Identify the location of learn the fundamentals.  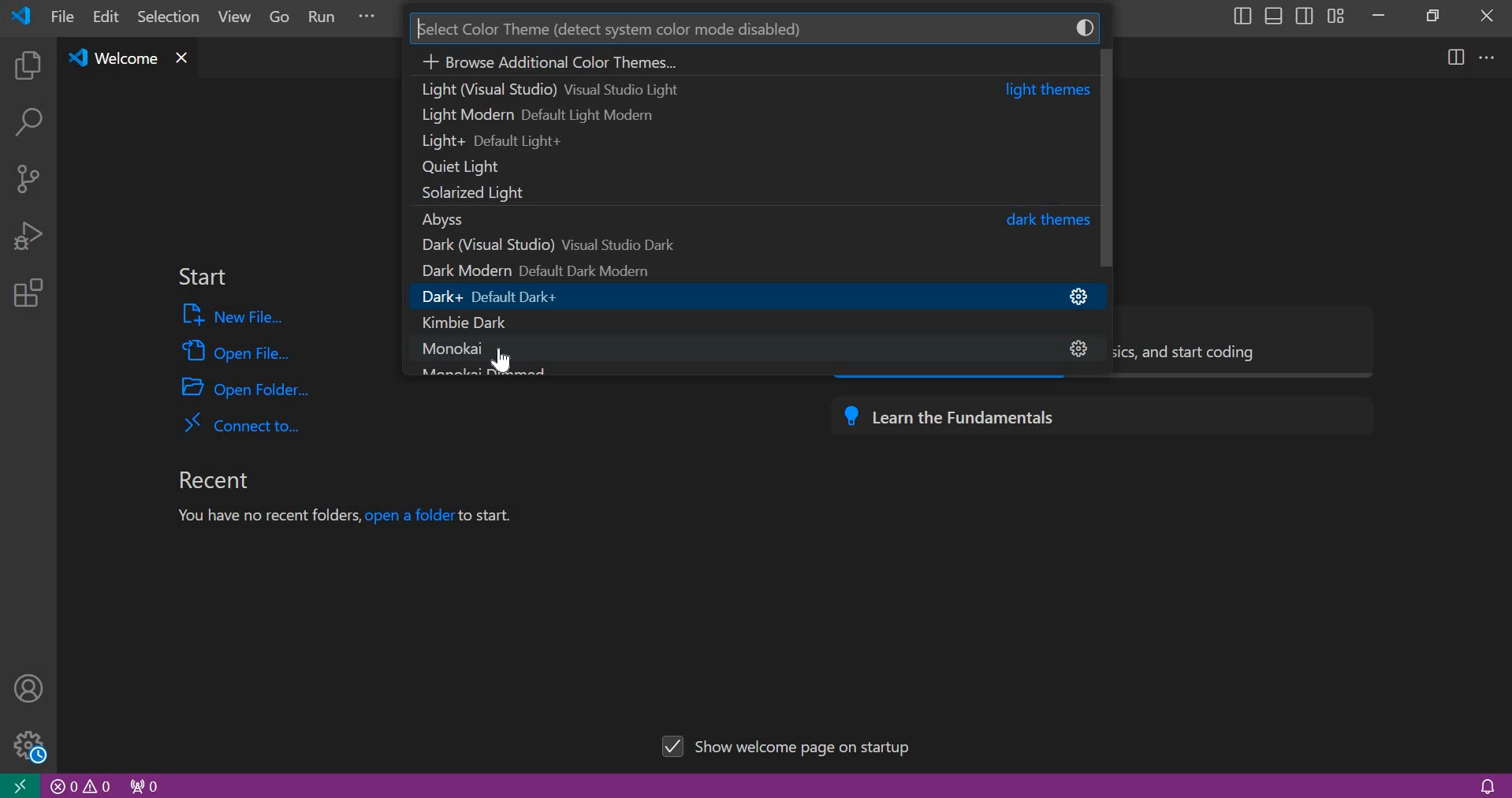
(1100, 413).